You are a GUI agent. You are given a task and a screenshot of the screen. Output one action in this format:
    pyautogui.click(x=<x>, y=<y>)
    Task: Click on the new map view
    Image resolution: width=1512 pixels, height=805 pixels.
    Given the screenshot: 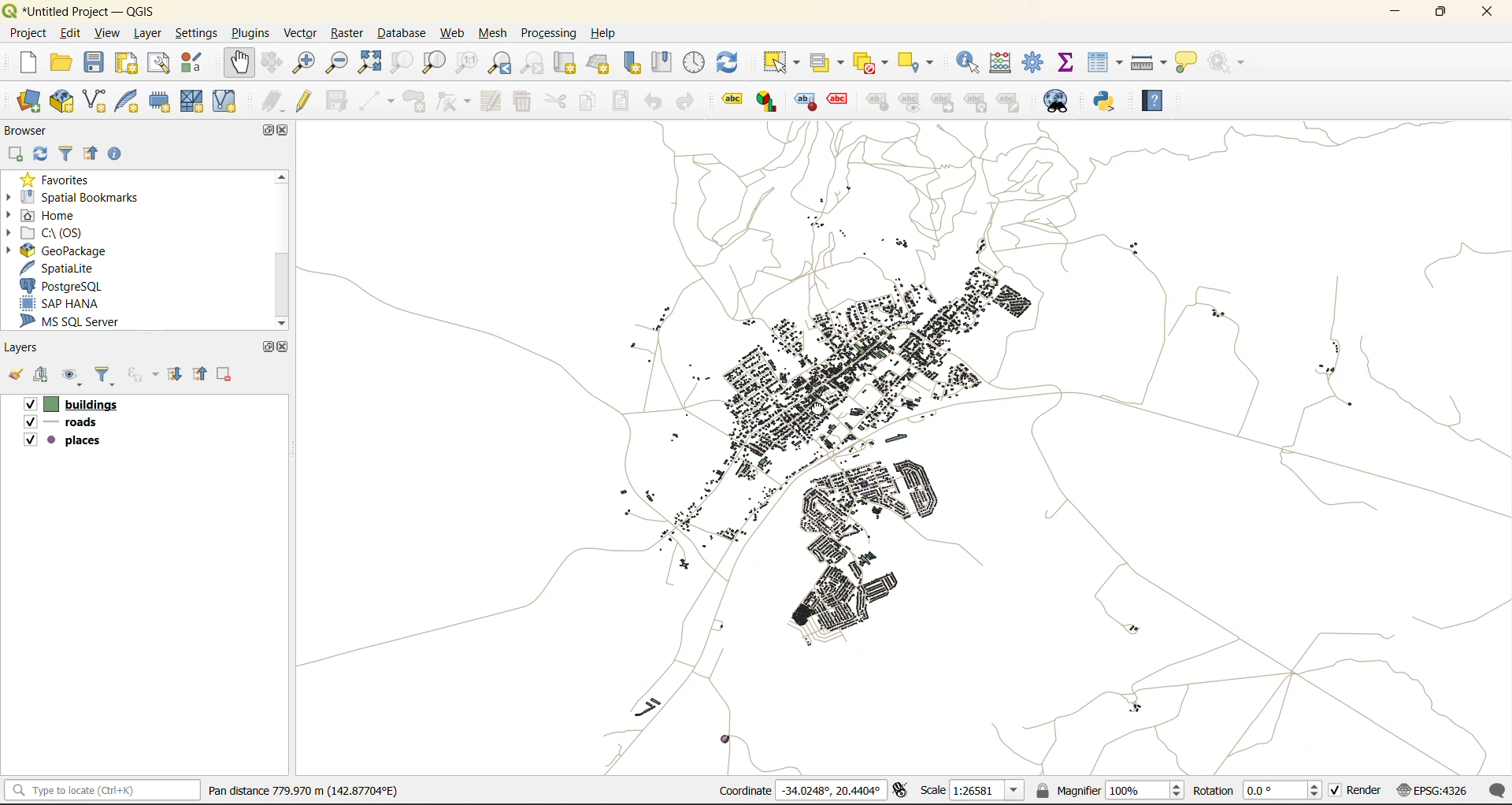 What is the action you would take?
    pyautogui.click(x=569, y=63)
    